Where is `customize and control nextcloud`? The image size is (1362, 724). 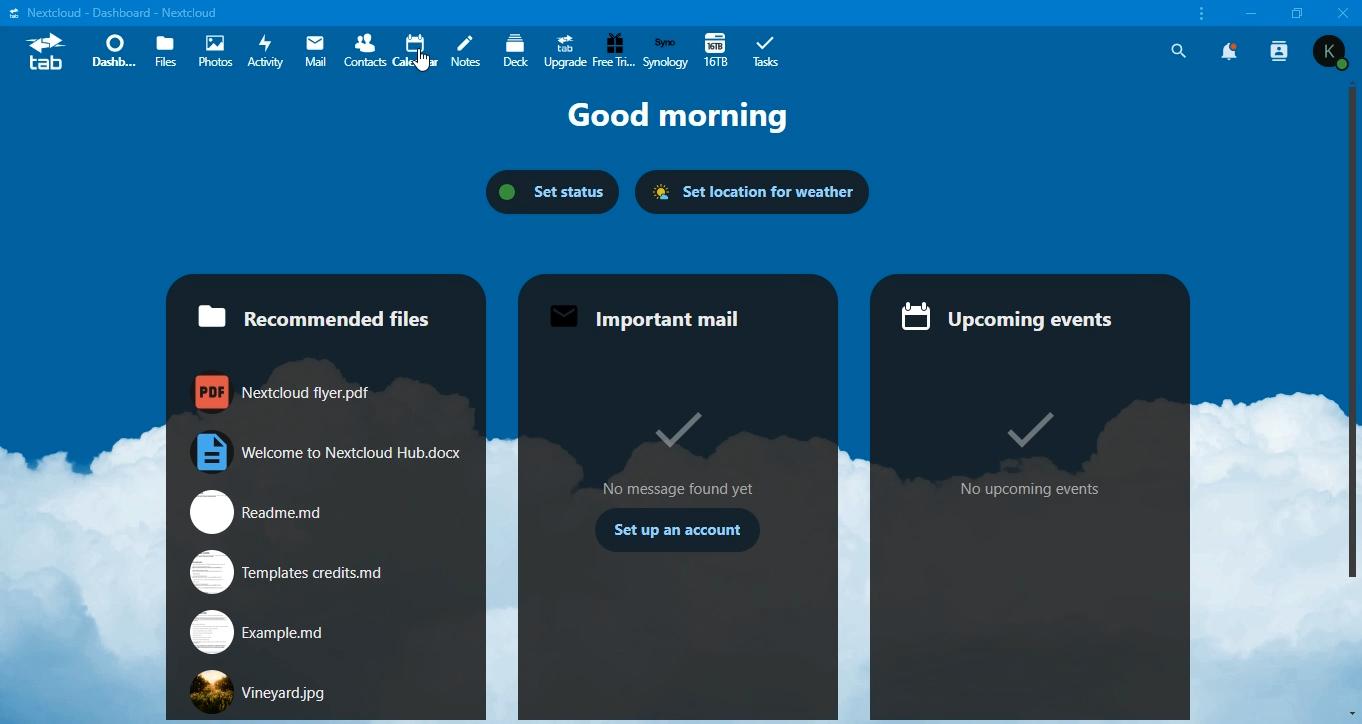
customize and control nextcloud is located at coordinates (1202, 15).